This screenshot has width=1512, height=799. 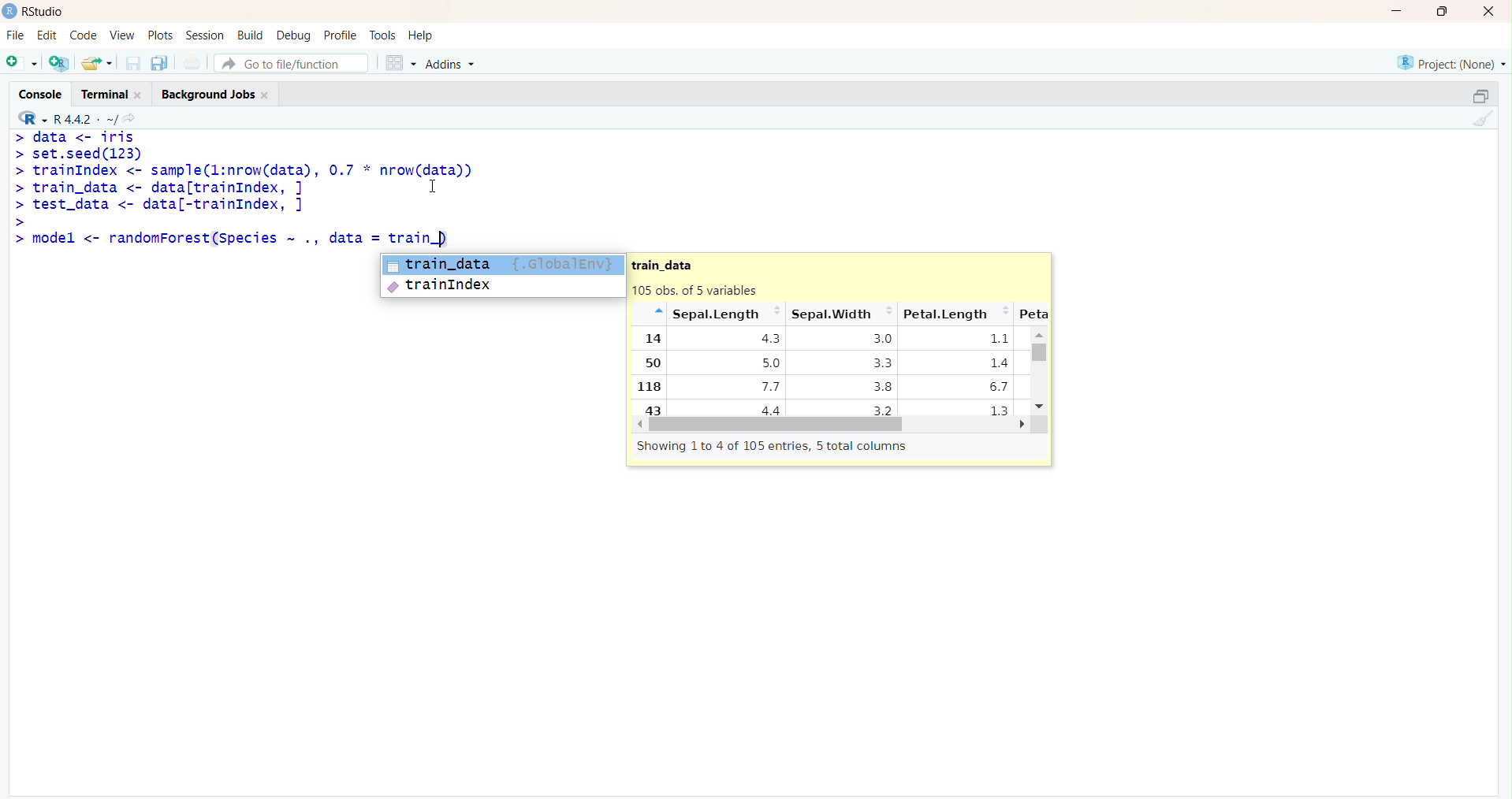 I want to click on Help, so click(x=422, y=36).